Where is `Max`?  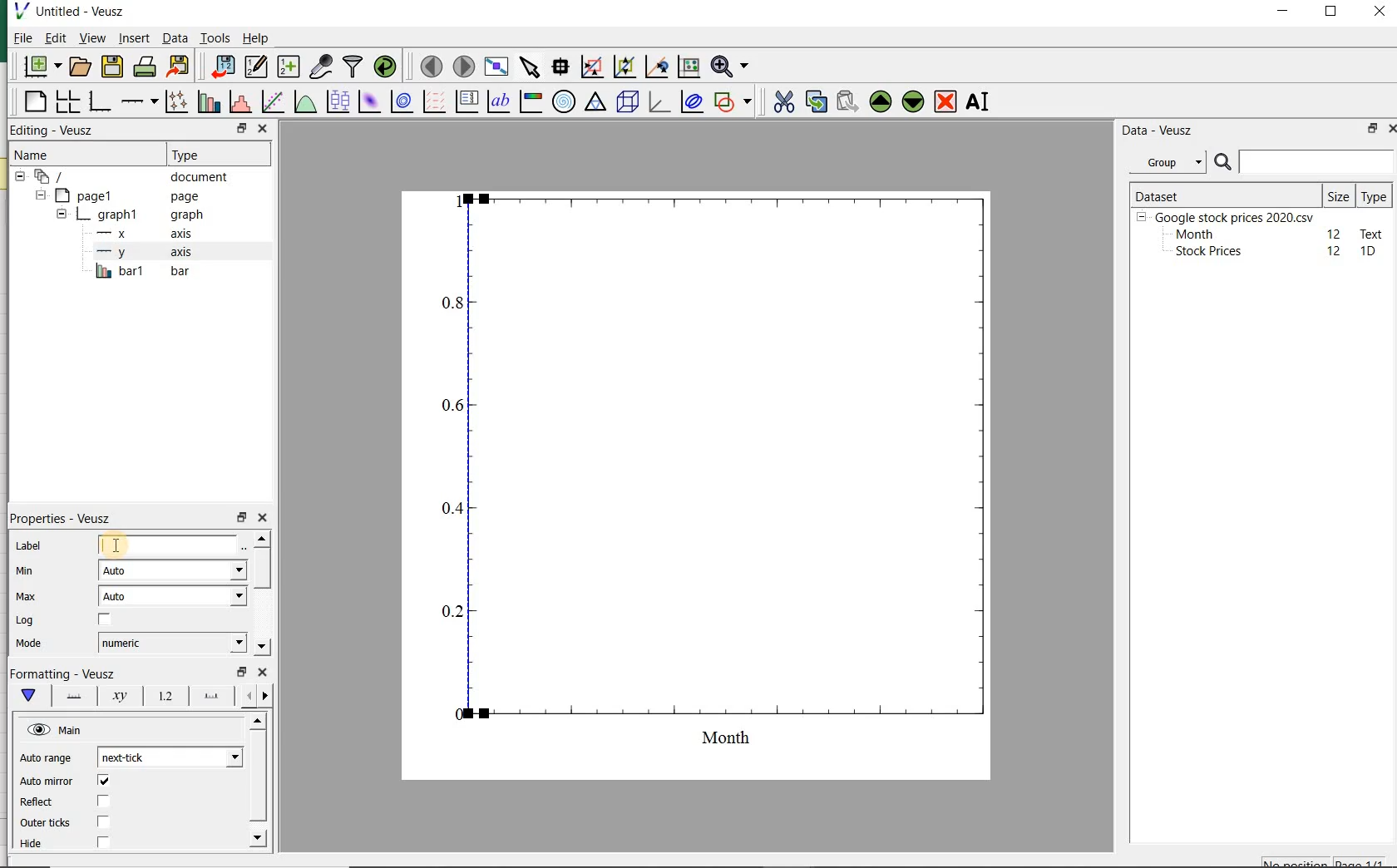 Max is located at coordinates (27, 598).